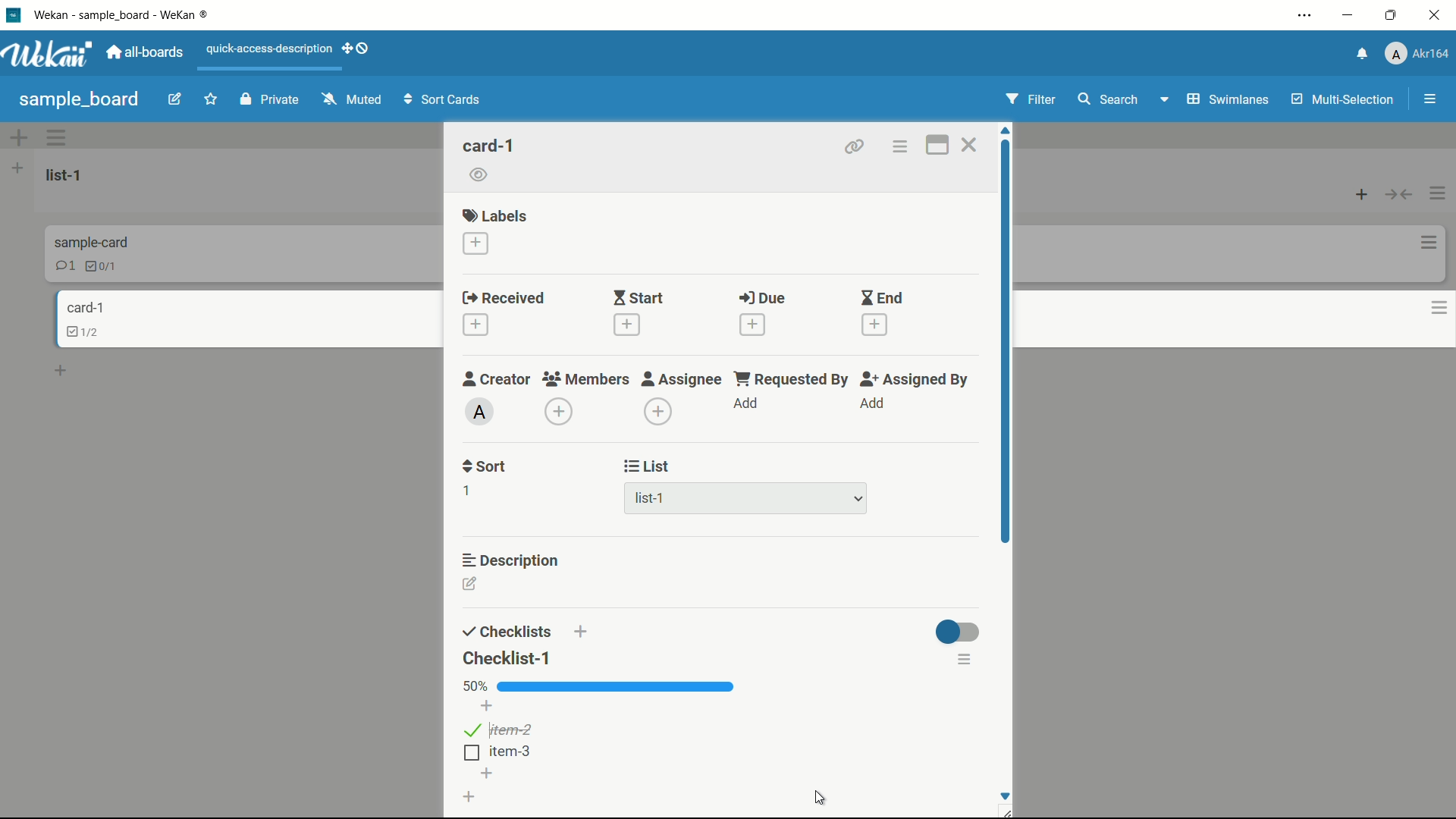 The height and width of the screenshot is (819, 1456). I want to click on received, so click(507, 297).